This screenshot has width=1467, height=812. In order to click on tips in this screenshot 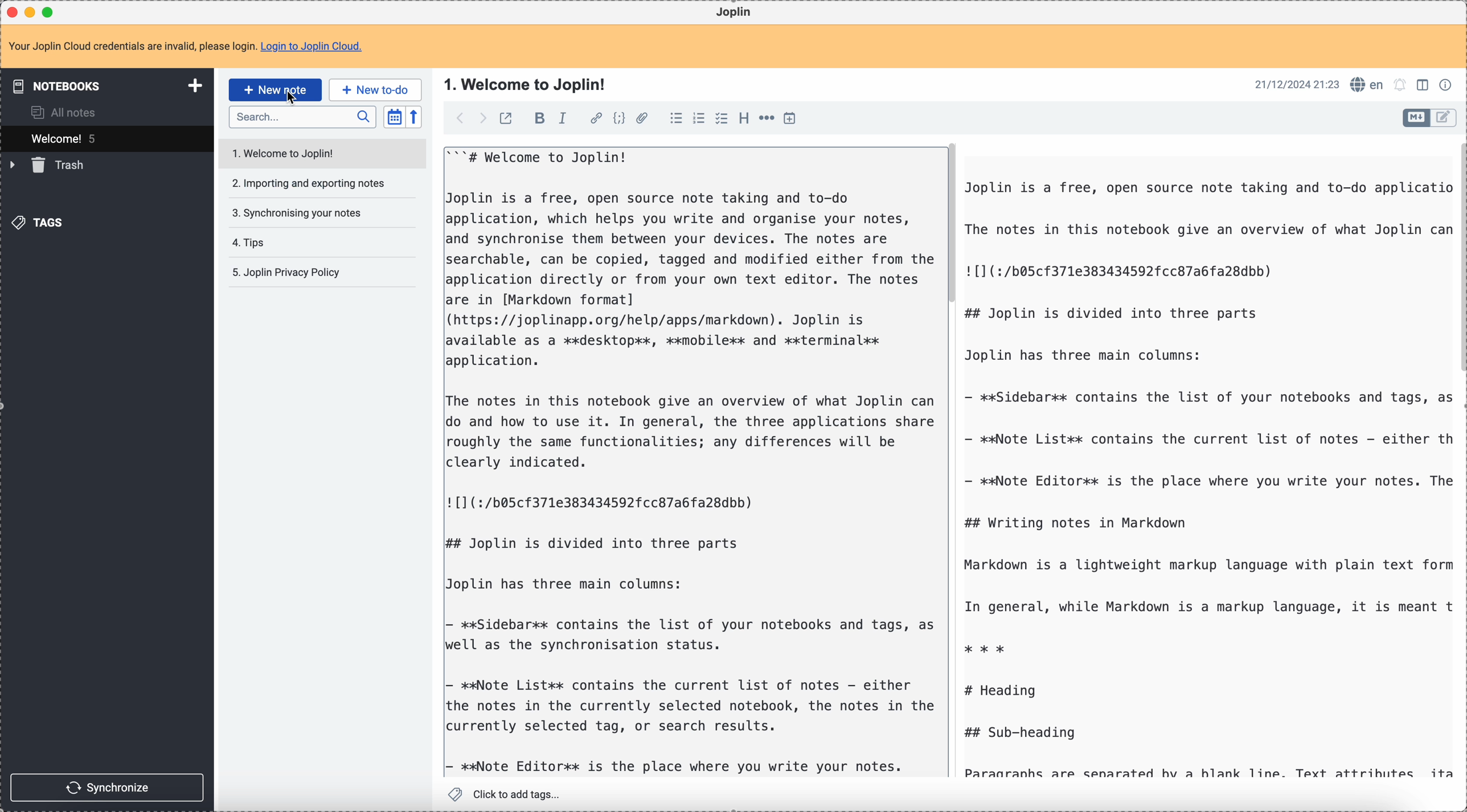, I will do `click(249, 242)`.